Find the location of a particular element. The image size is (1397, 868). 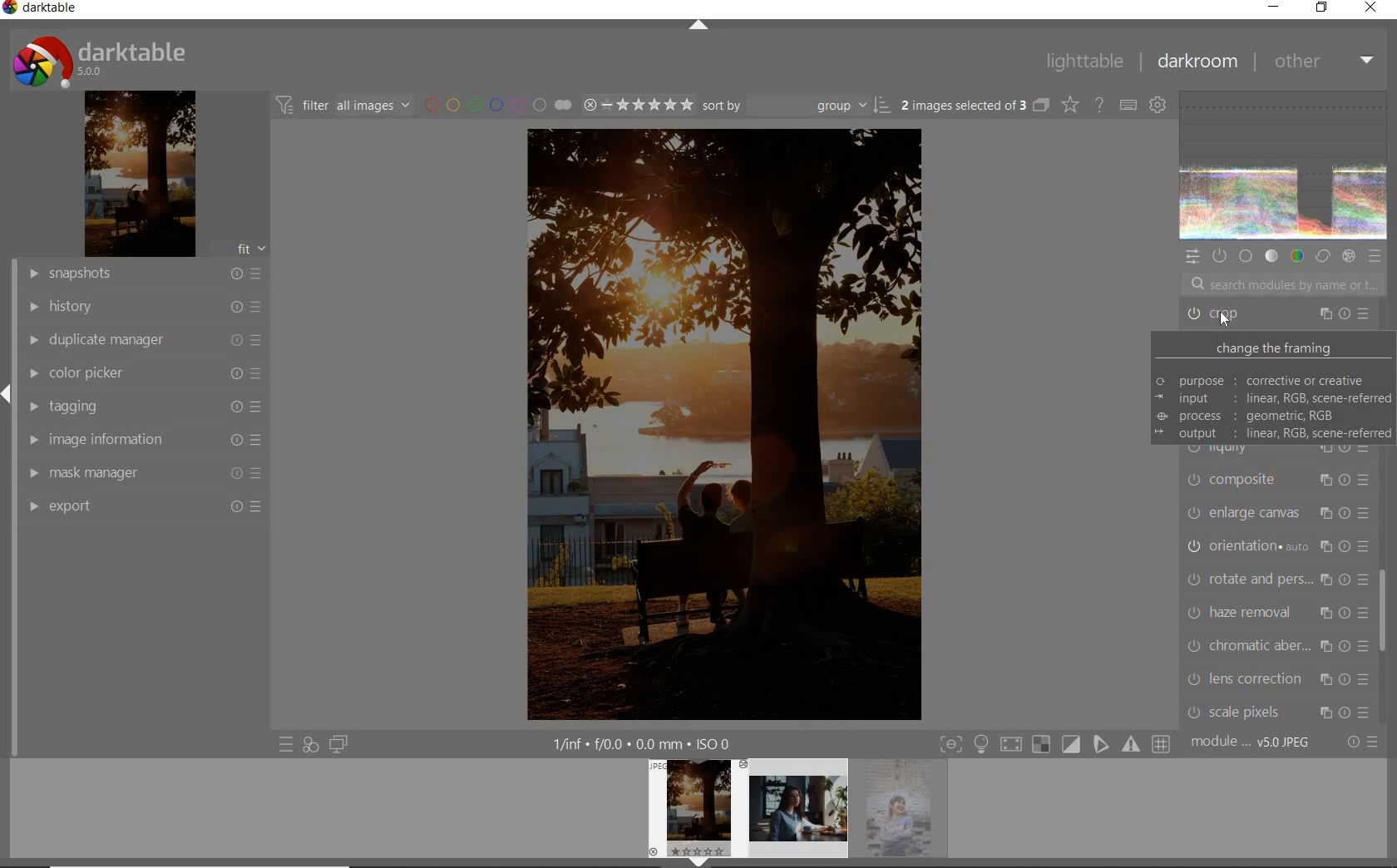

selected images is located at coordinates (962, 105).